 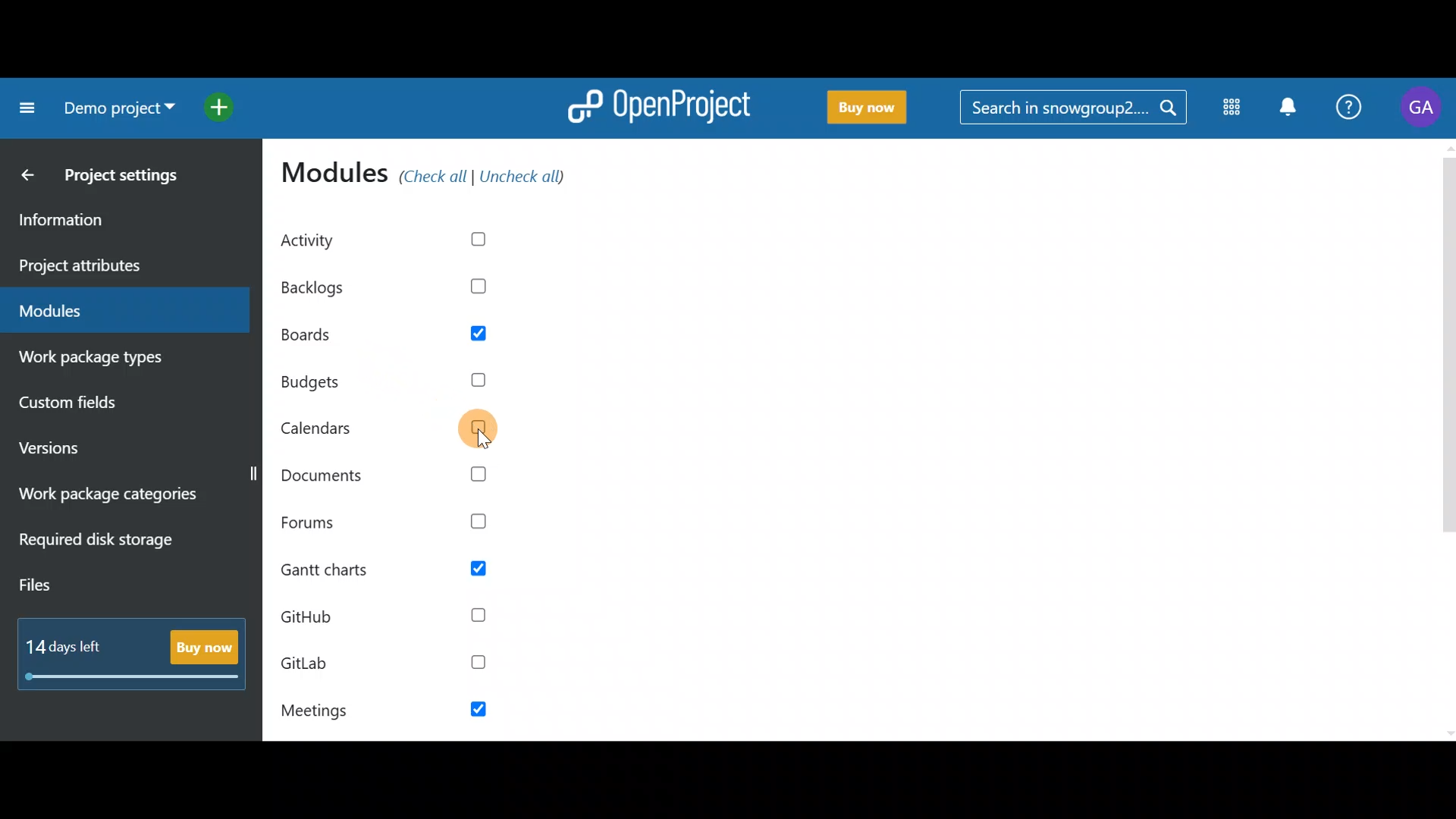 I want to click on Backlogs, so click(x=402, y=281).